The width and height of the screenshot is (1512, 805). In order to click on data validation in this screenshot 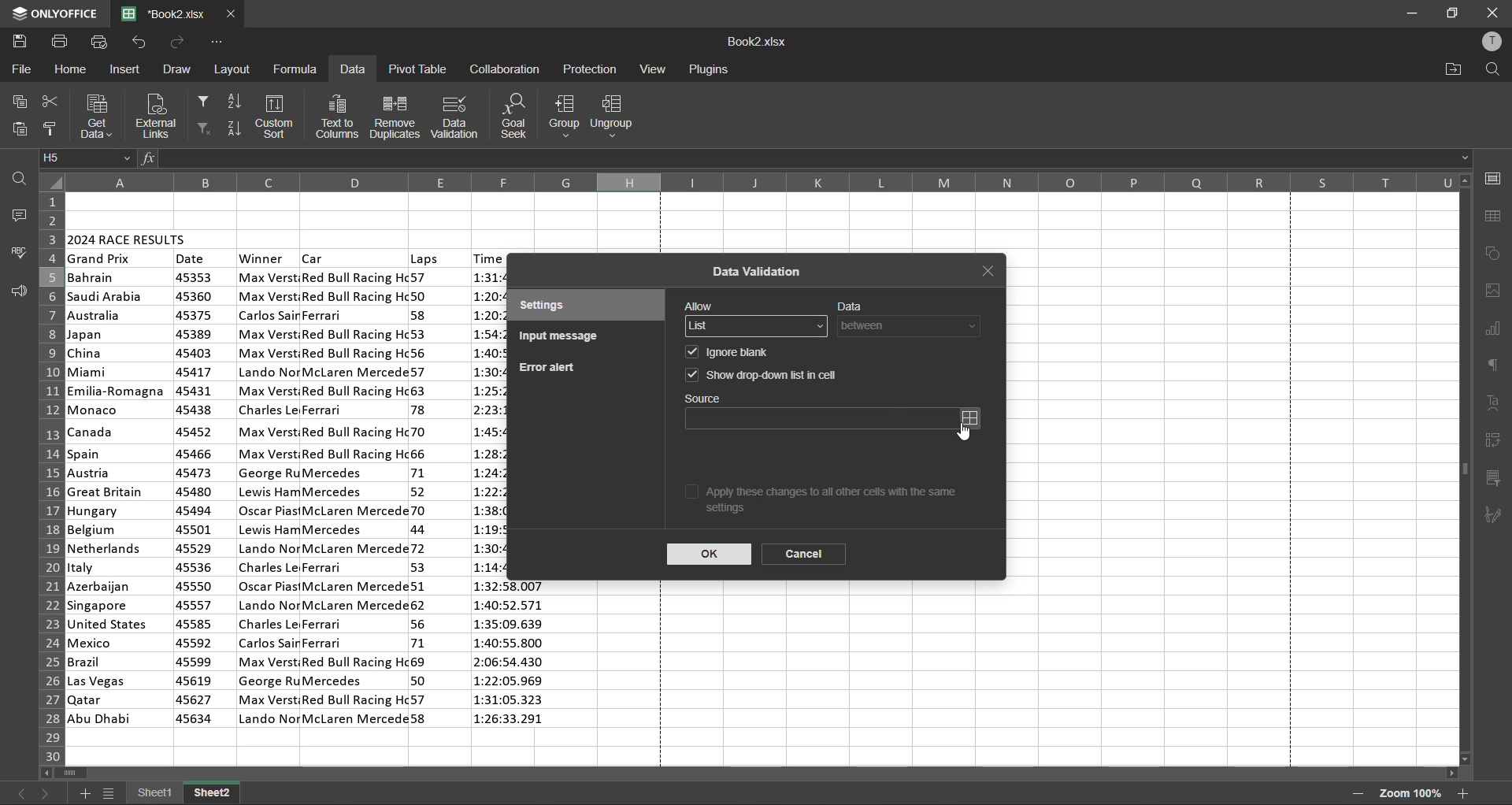, I will do `click(457, 116)`.